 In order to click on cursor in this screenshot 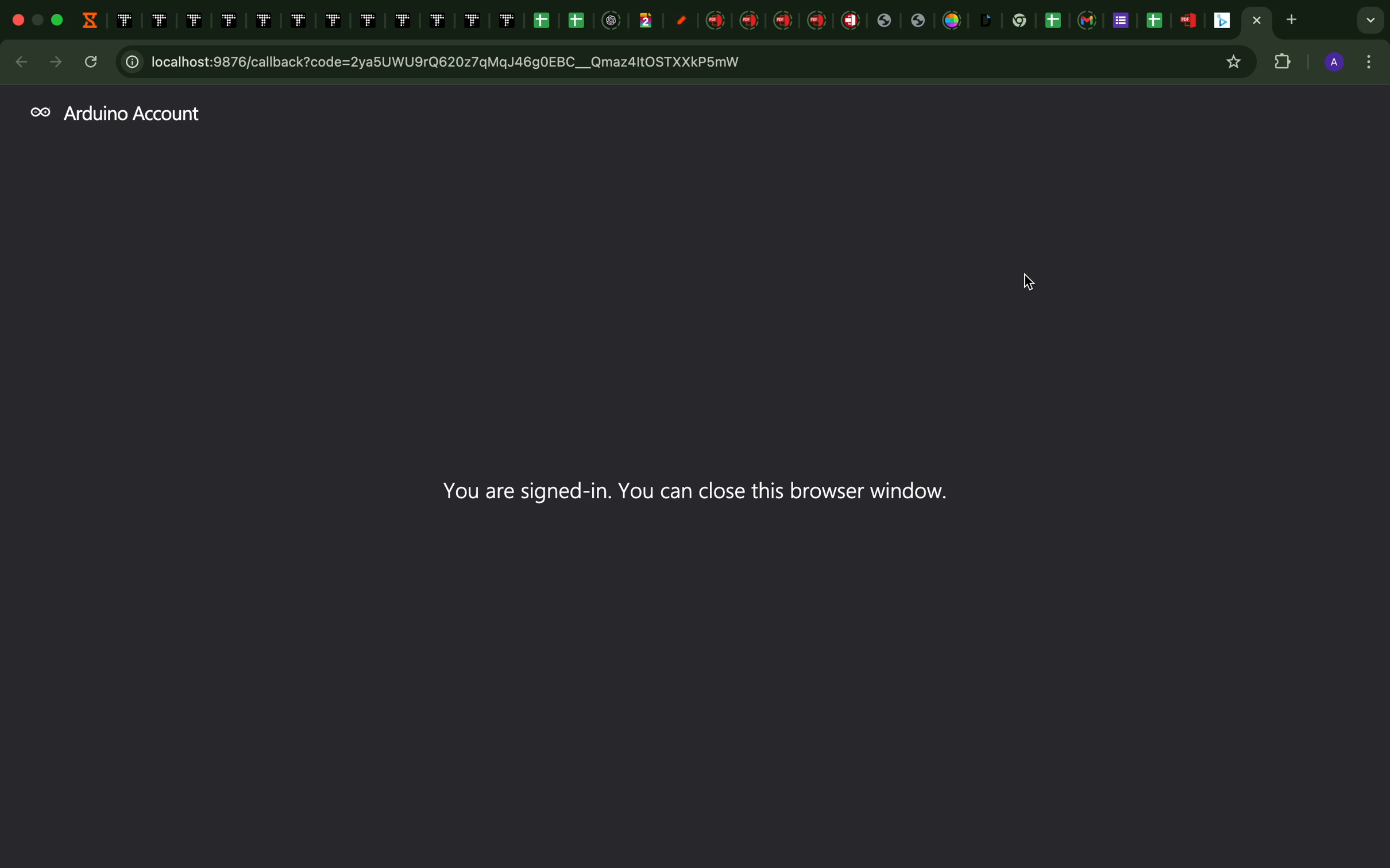, I will do `click(1028, 280)`.